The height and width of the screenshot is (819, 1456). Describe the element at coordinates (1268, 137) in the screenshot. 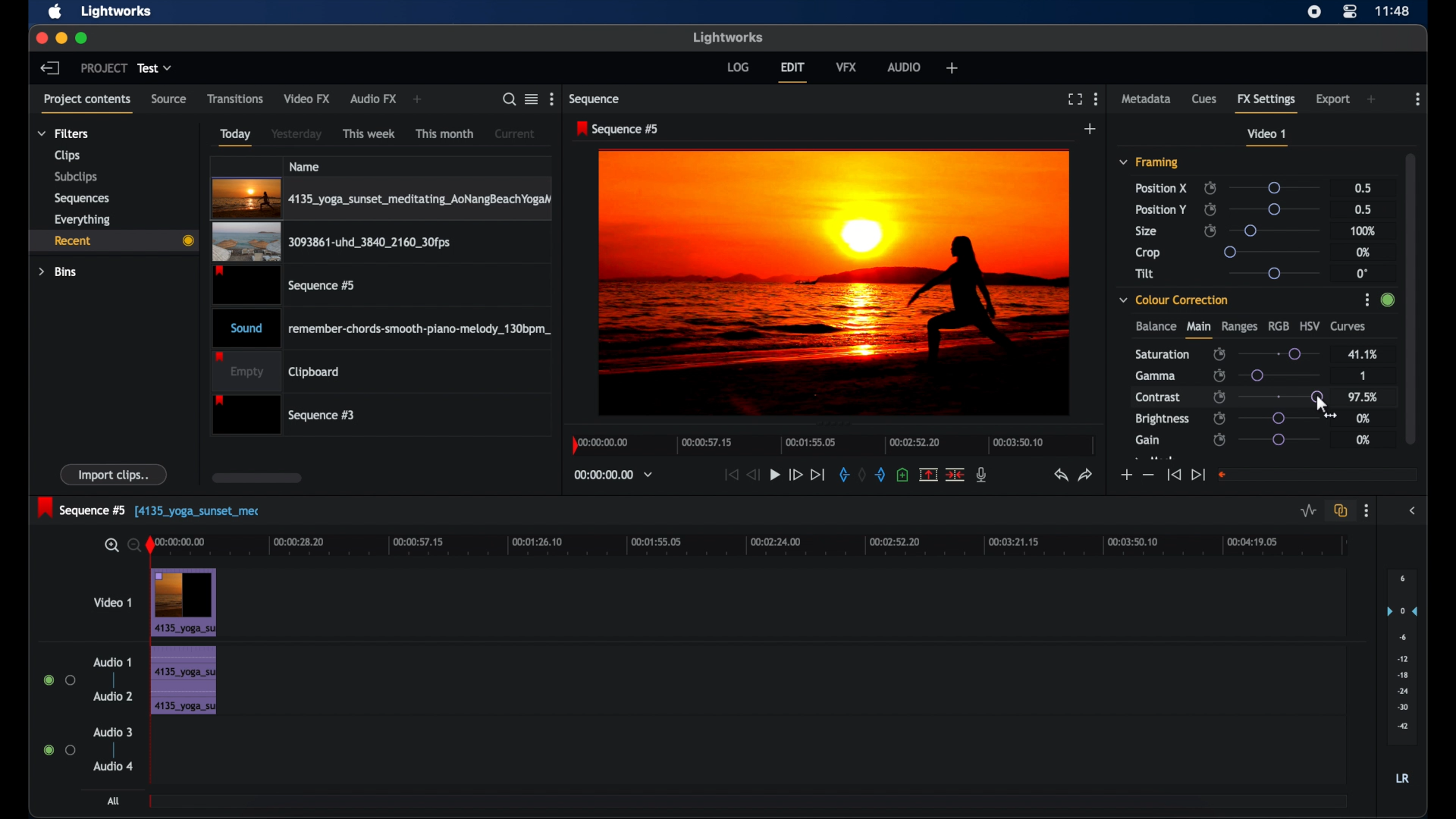

I see `video 1` at that location.